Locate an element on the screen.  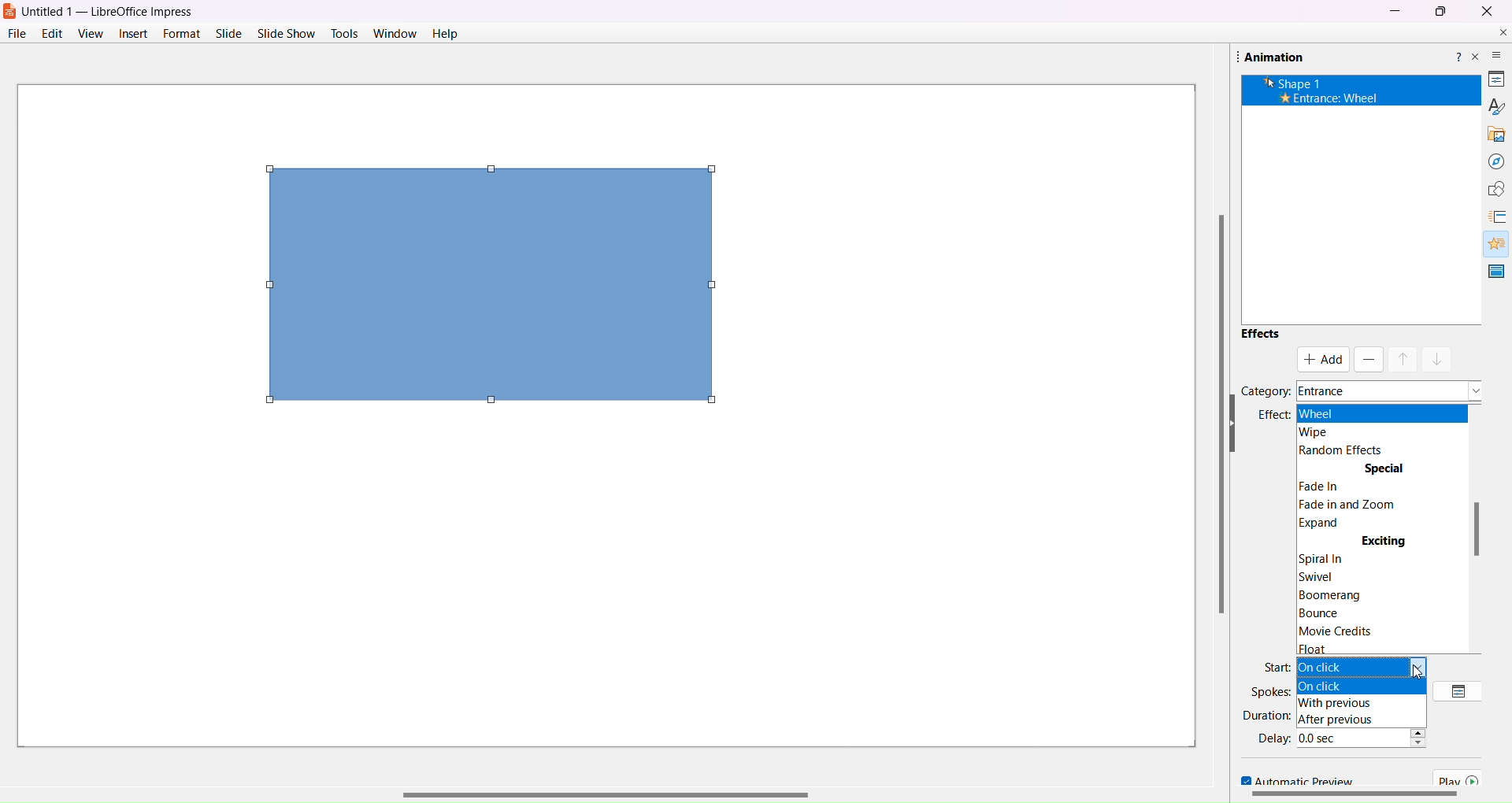
Names of Category is located at coordinates (1389, 386).